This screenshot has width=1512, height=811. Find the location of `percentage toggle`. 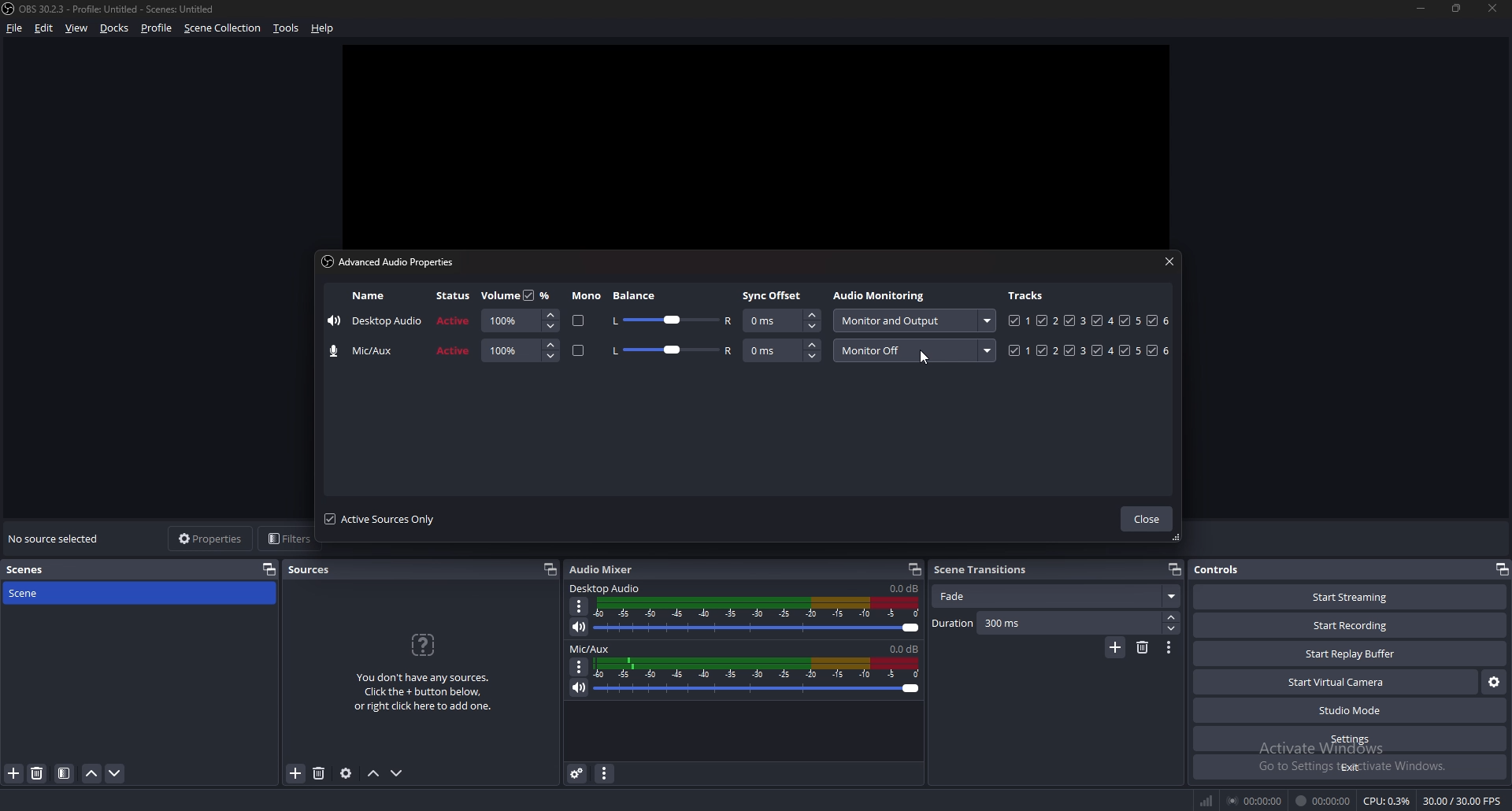

percentage toggle is located at coordinates (539, 294).